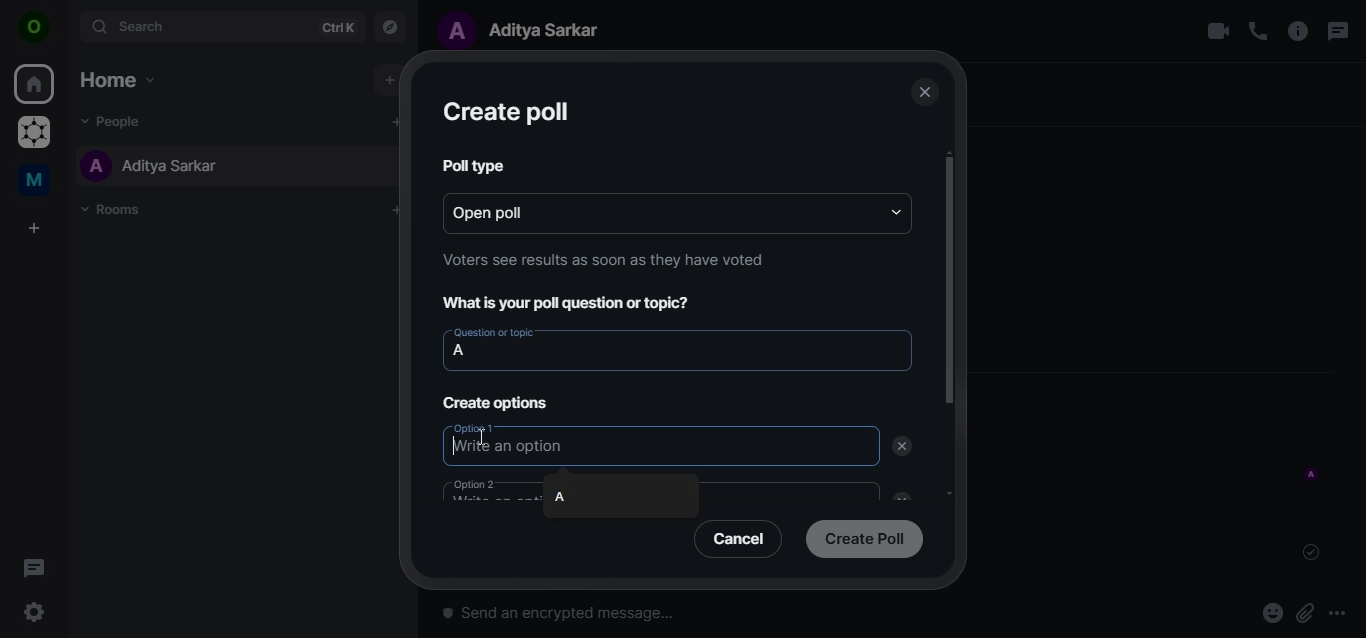 The width and height of the screenshot is (1366, 638). What do you see at coordinates (902, 447) in the screenshot?
I see `delete` at bounding box center [902, 447].